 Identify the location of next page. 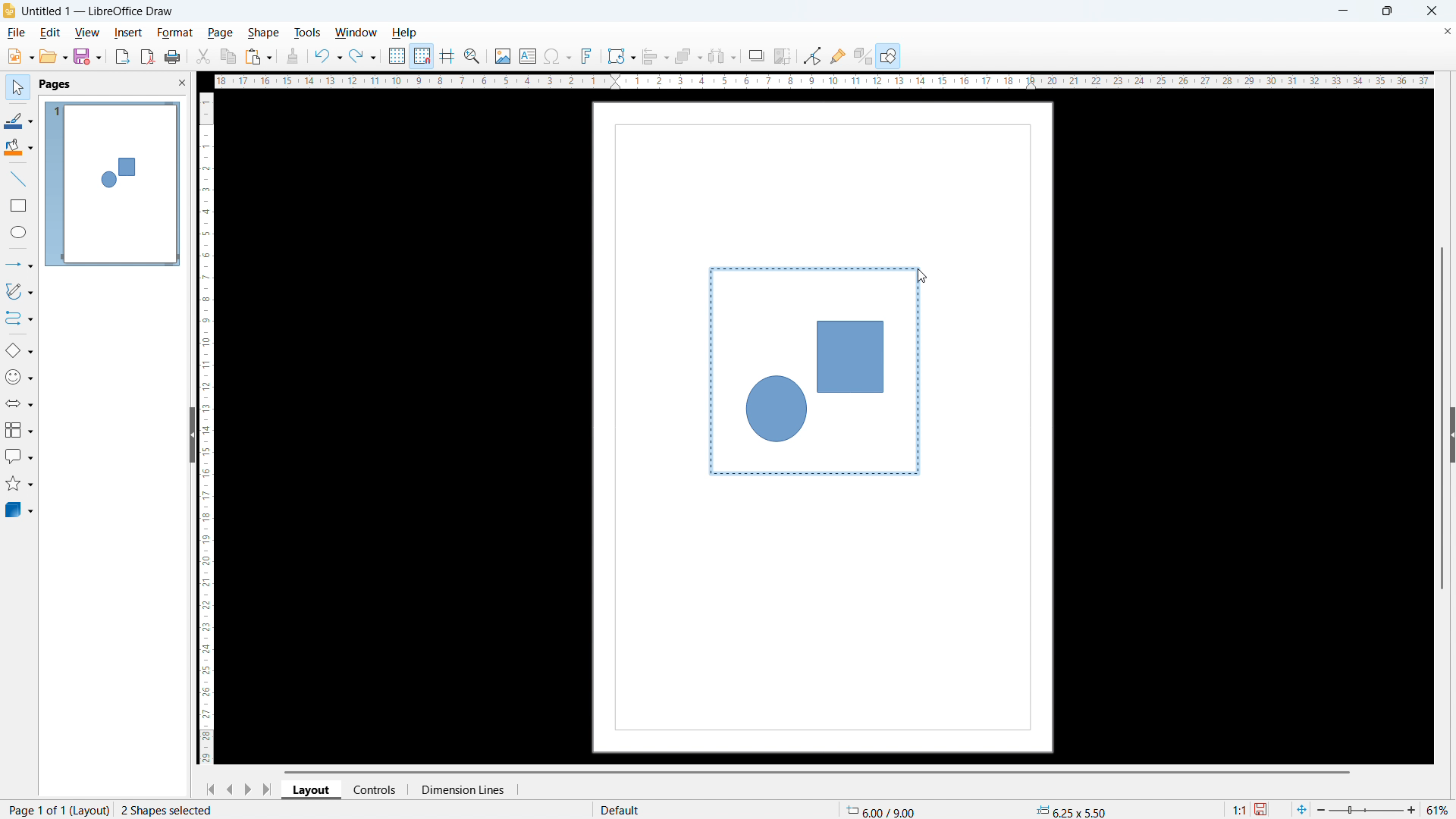
(249, 789).